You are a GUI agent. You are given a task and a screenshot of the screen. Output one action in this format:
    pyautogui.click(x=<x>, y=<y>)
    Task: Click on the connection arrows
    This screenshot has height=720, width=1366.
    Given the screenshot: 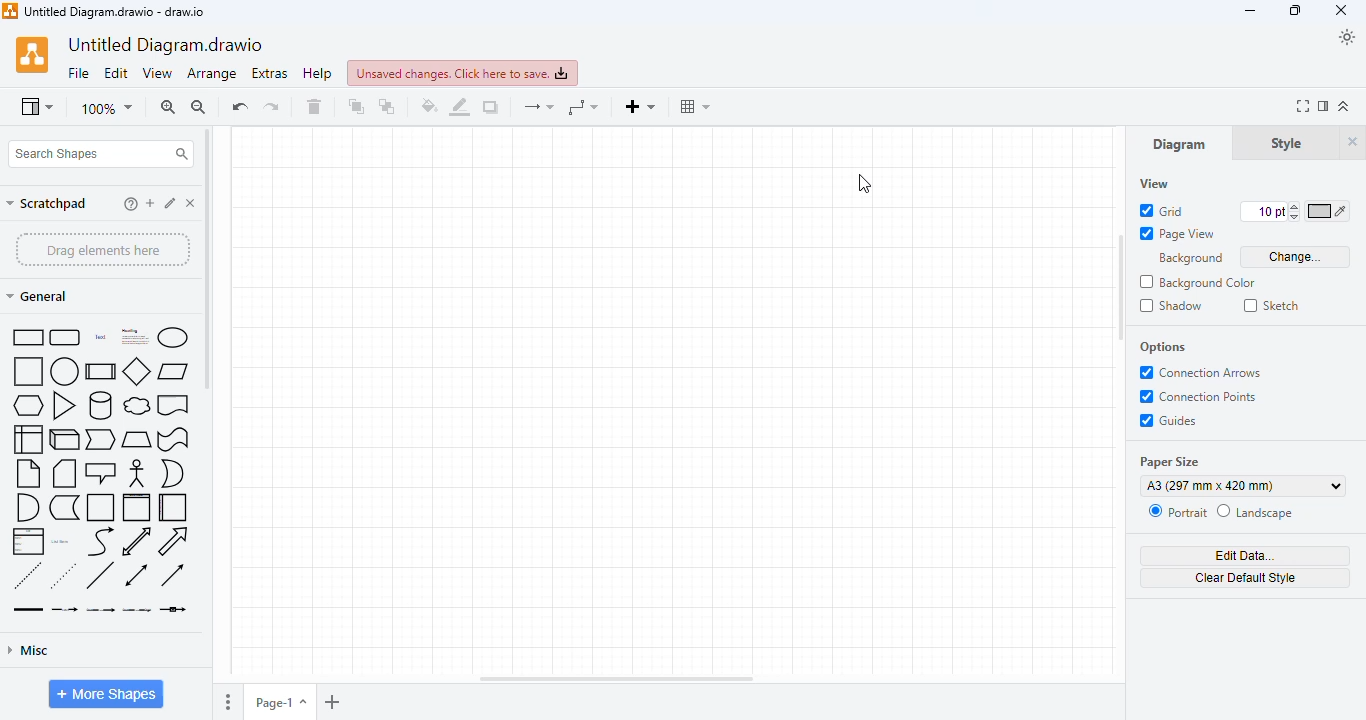 What is the action you would take?
    pyautogui.click(x=1201, y=373)
    